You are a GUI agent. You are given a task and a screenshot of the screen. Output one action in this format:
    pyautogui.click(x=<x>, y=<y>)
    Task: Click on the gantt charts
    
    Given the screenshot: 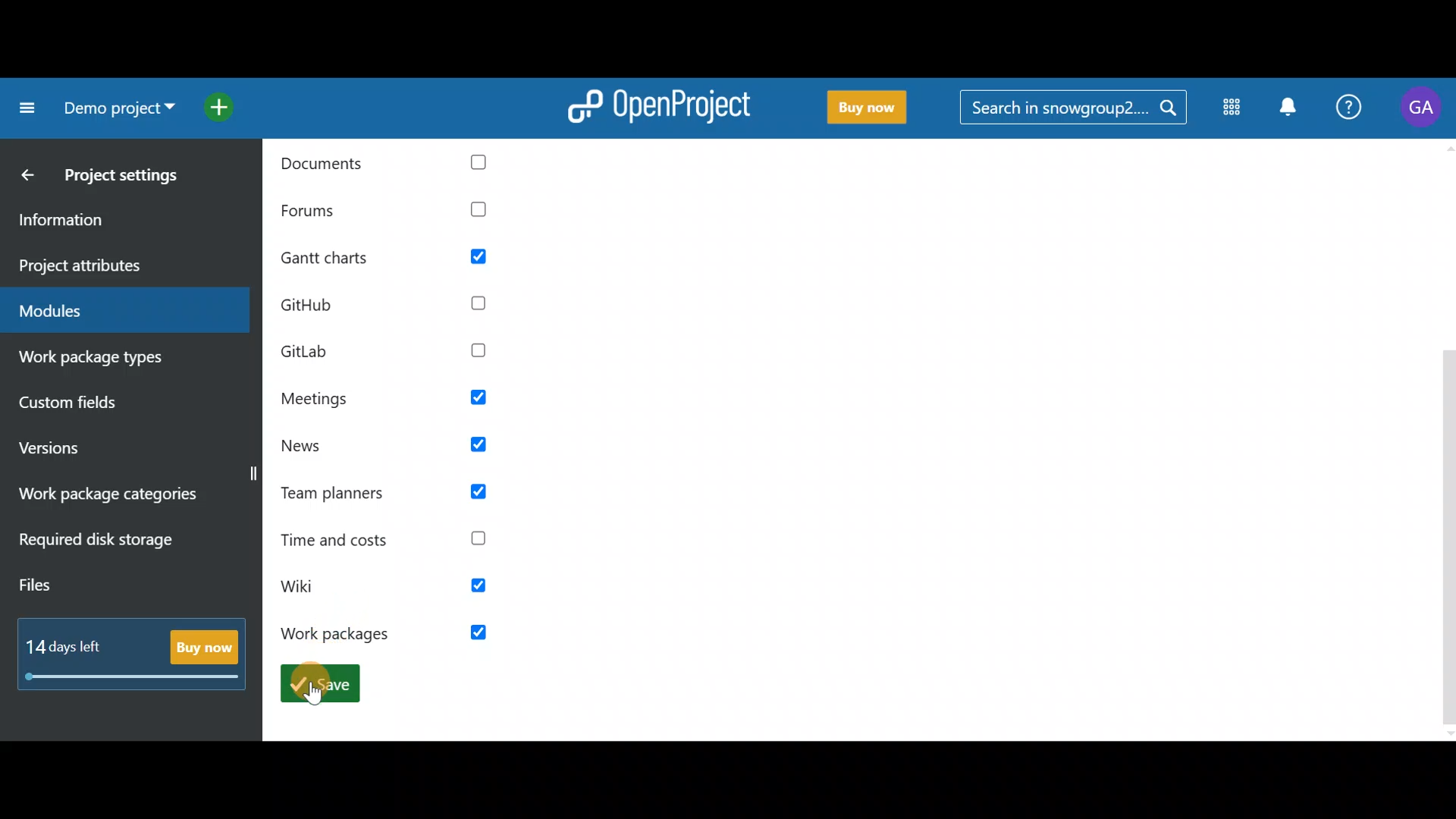 What is the action you would take?
    pyautogui.click(x=397, y=259)
    